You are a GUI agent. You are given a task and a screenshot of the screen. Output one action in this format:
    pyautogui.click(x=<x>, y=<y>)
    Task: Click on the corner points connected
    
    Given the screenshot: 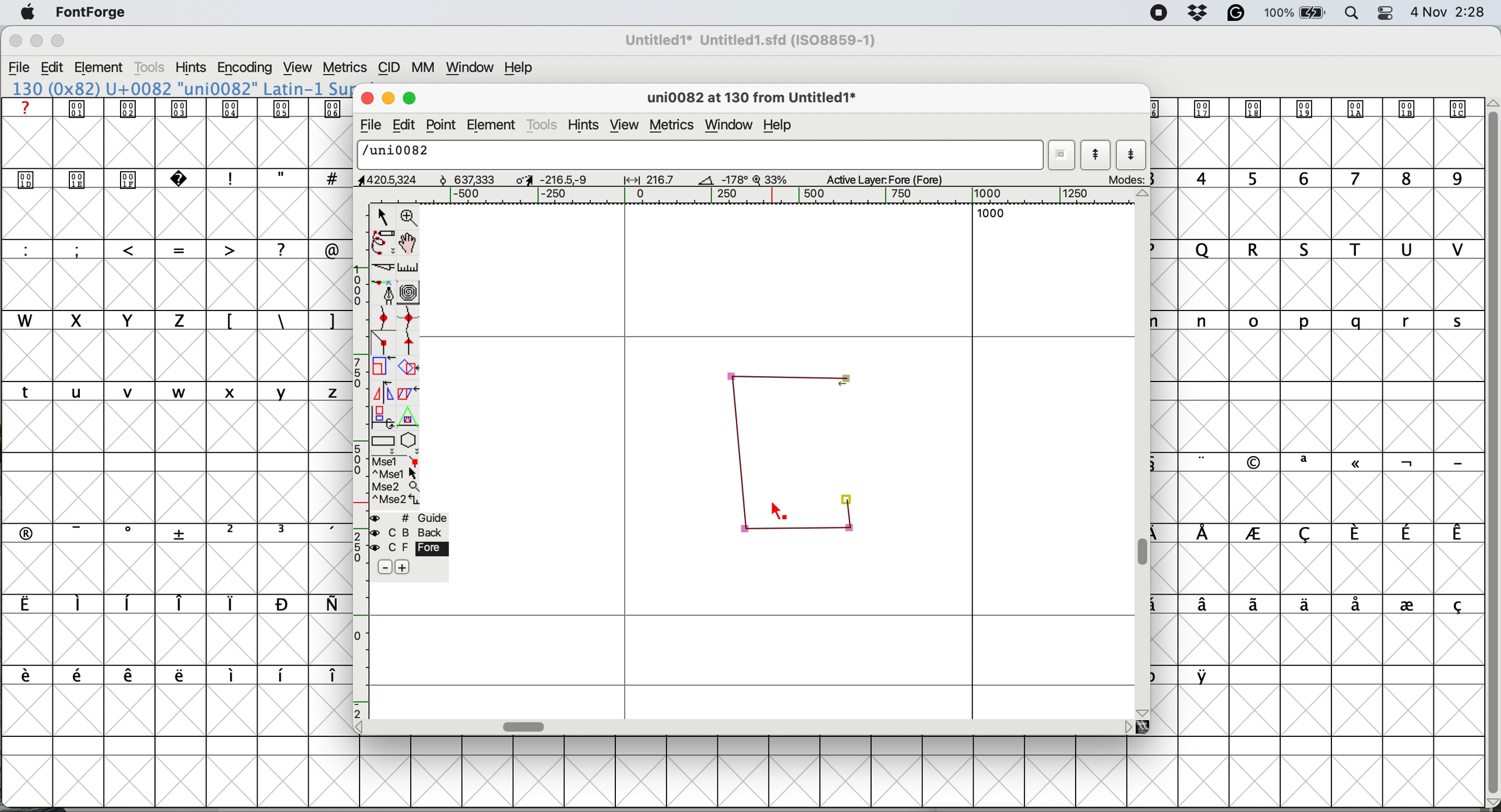 What is the action you would take?
    pyautogui.click(x=788, y=374)
    